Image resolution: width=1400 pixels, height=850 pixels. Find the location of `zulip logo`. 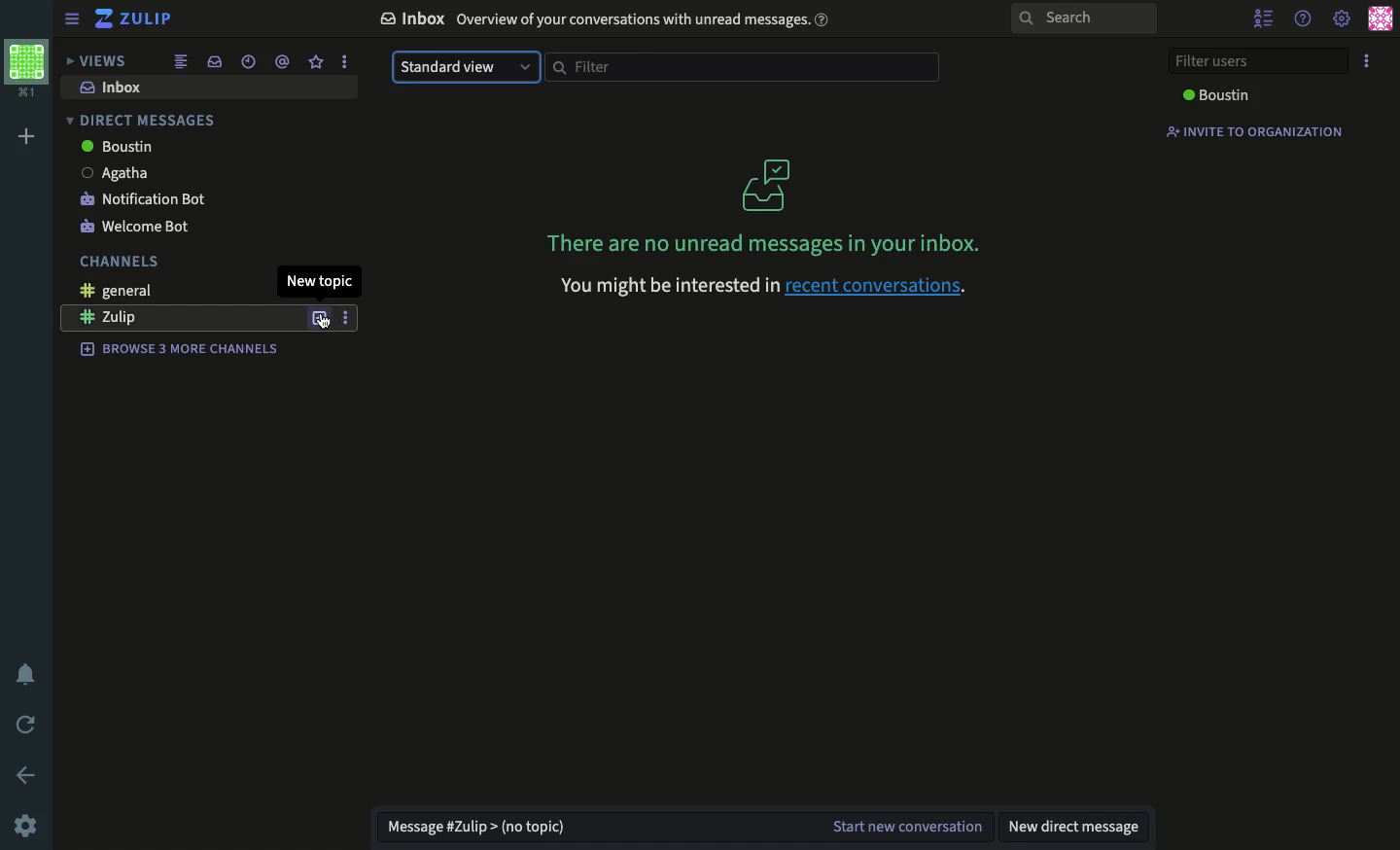

zulip logo is located at coordinates (104, 20).